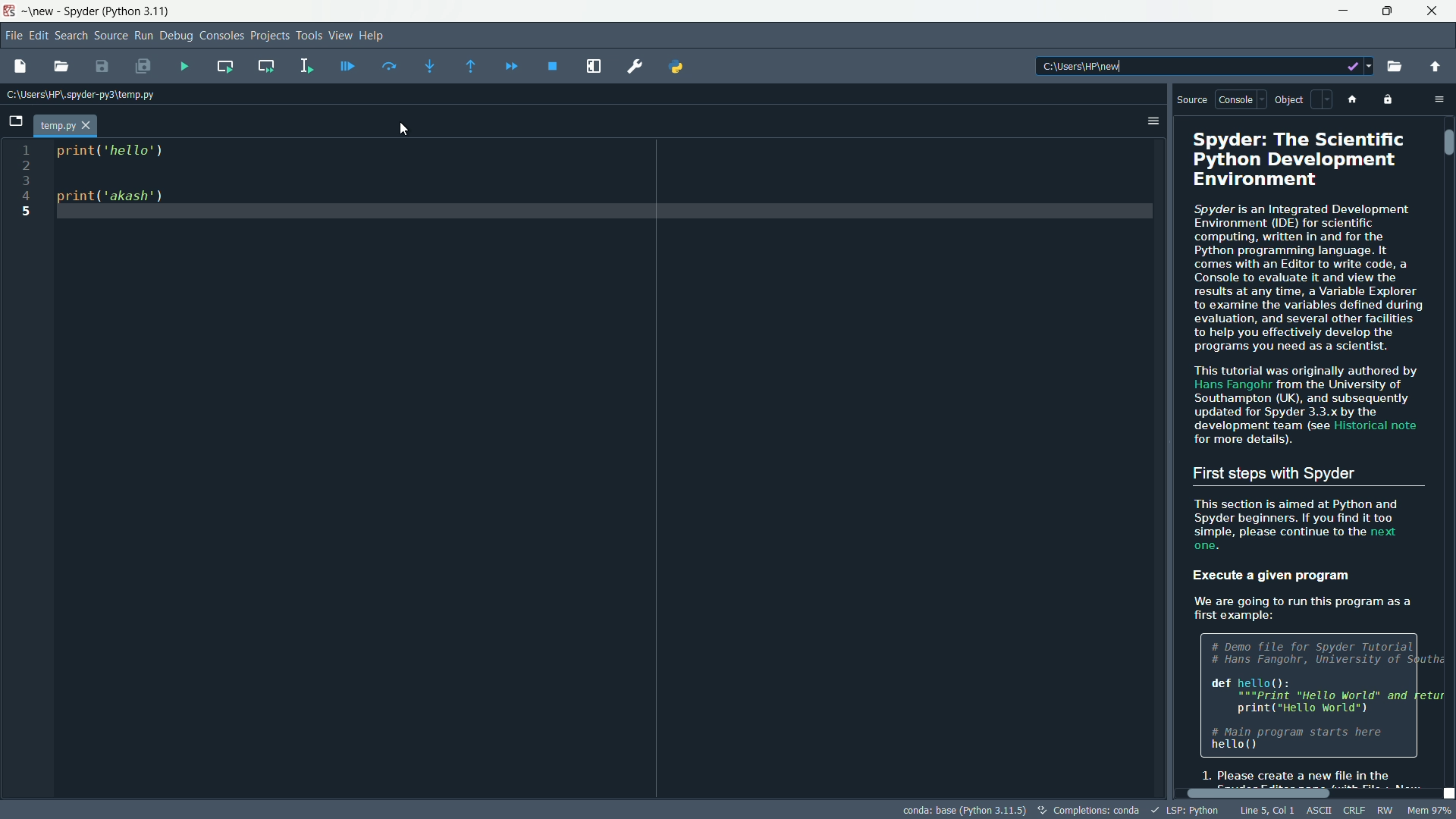 The width and height of the screenshot is (1456, 819). Describe the element at coordinates (1429, 809) in the screenshot. I see `mem 97%` at that location.